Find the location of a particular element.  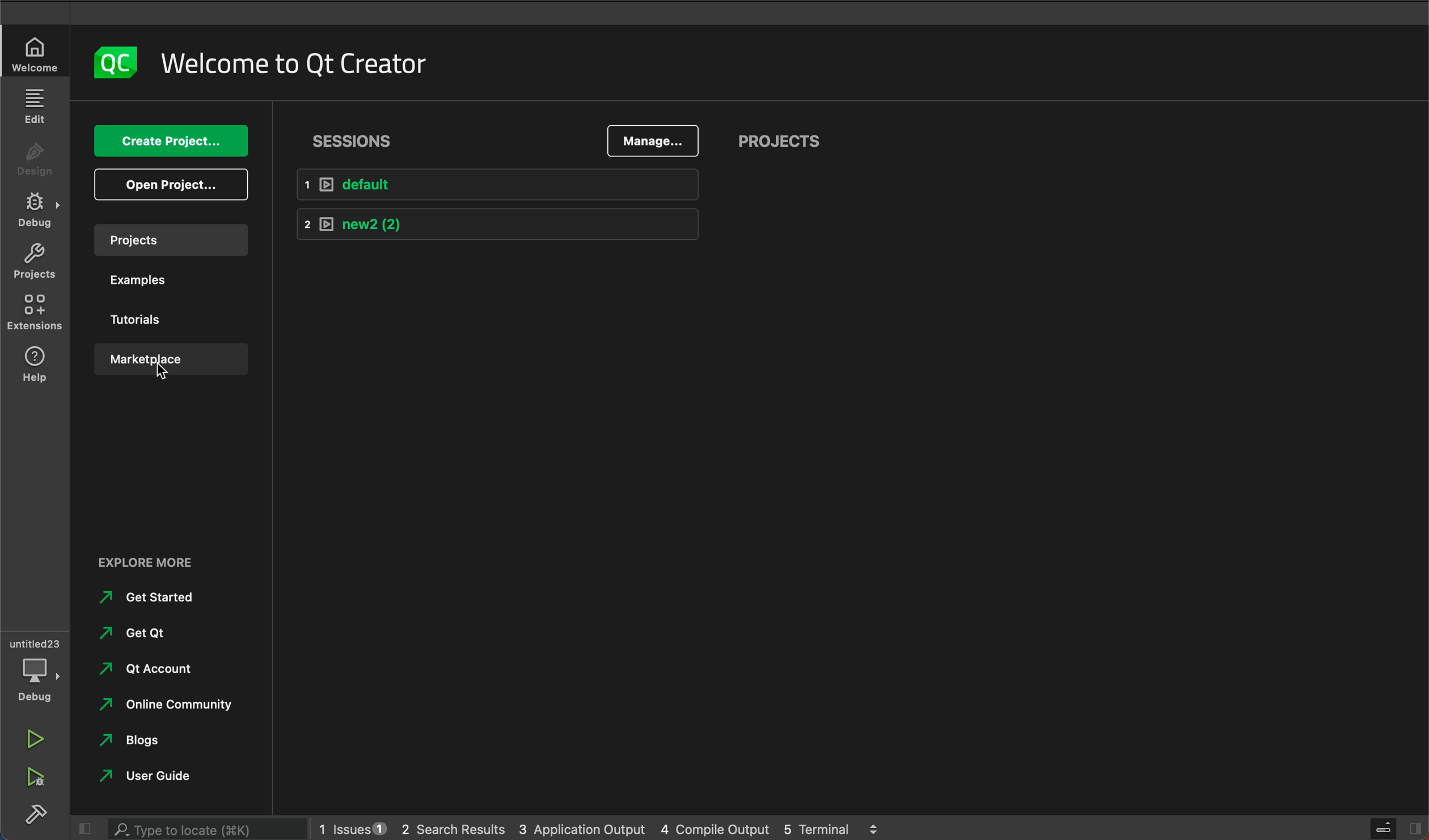

welcome is located at coordinates (38, 53).